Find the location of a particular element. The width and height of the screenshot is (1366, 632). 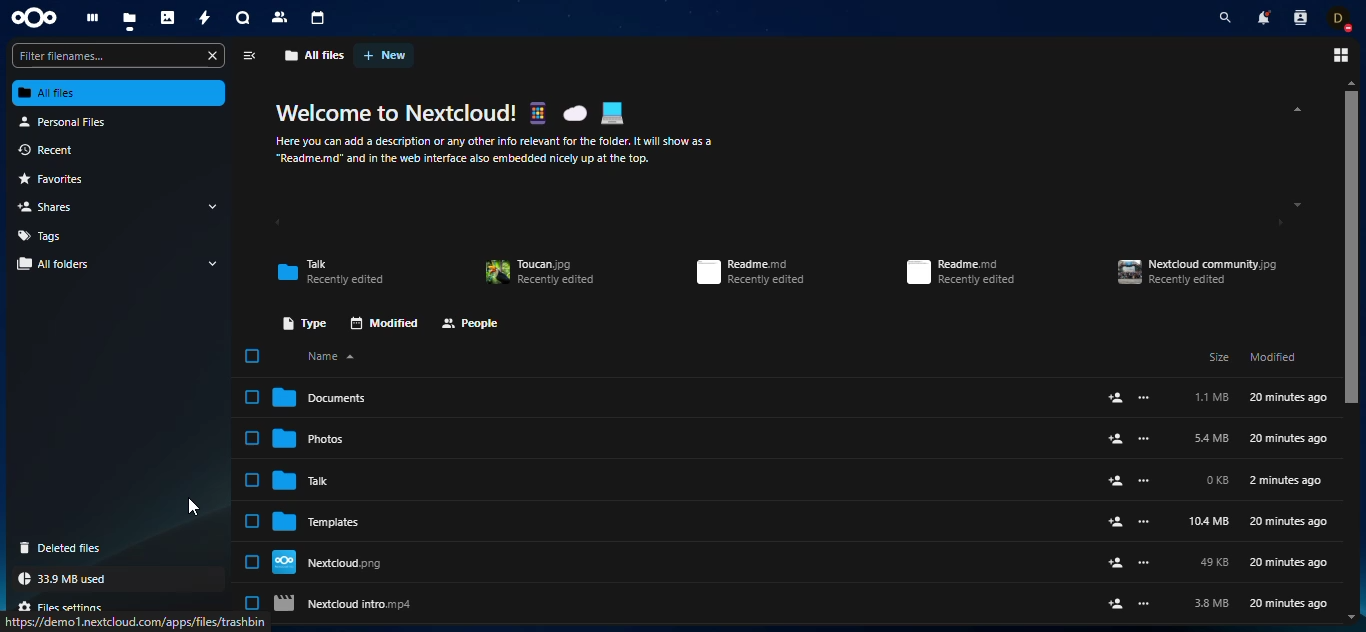

Tags is located at coordinates (45, 234).